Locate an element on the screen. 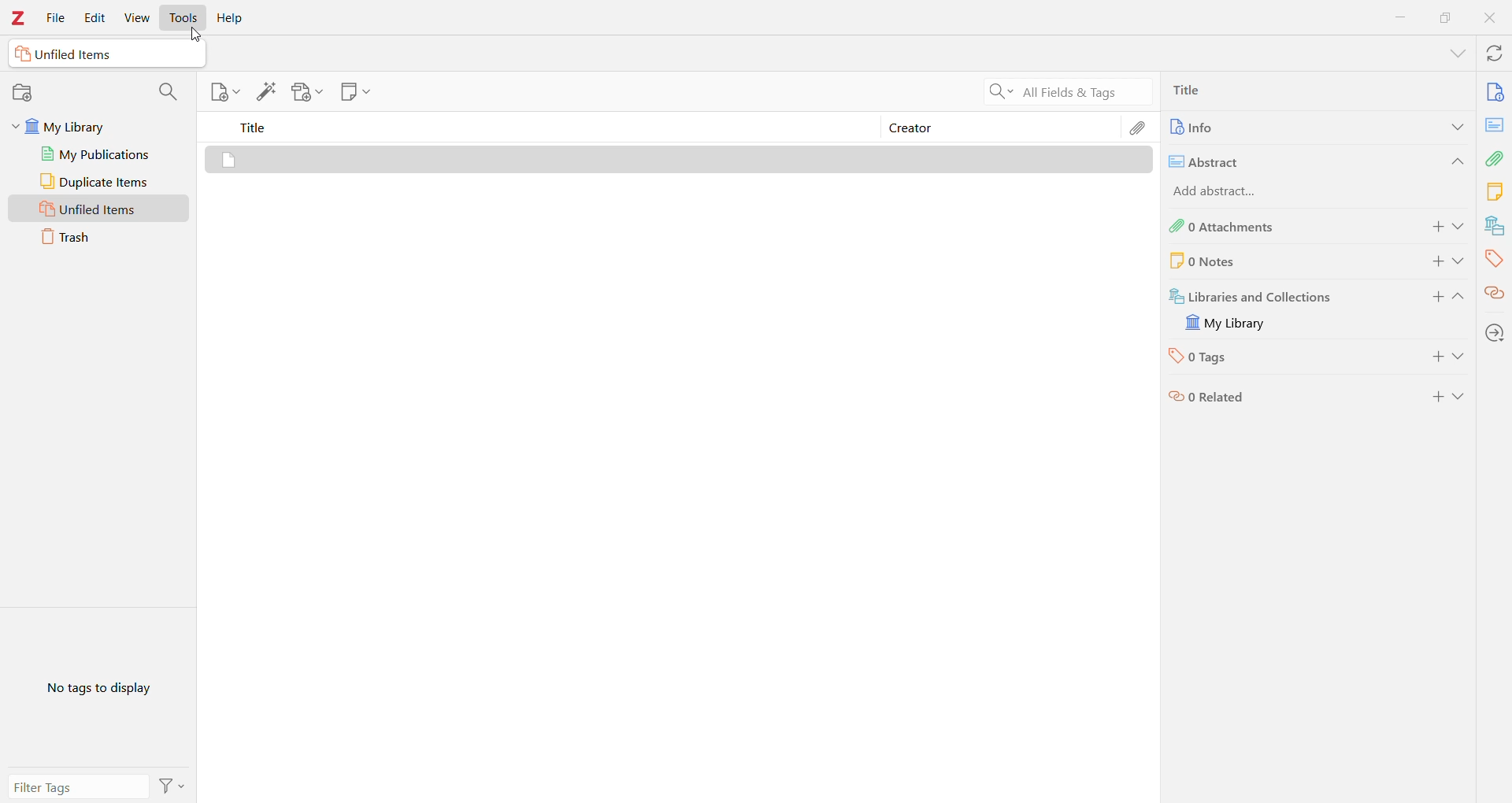 Image resolution: width=1512 pixels, height=803 pixels. Title is located at coordinates (1315, 90).